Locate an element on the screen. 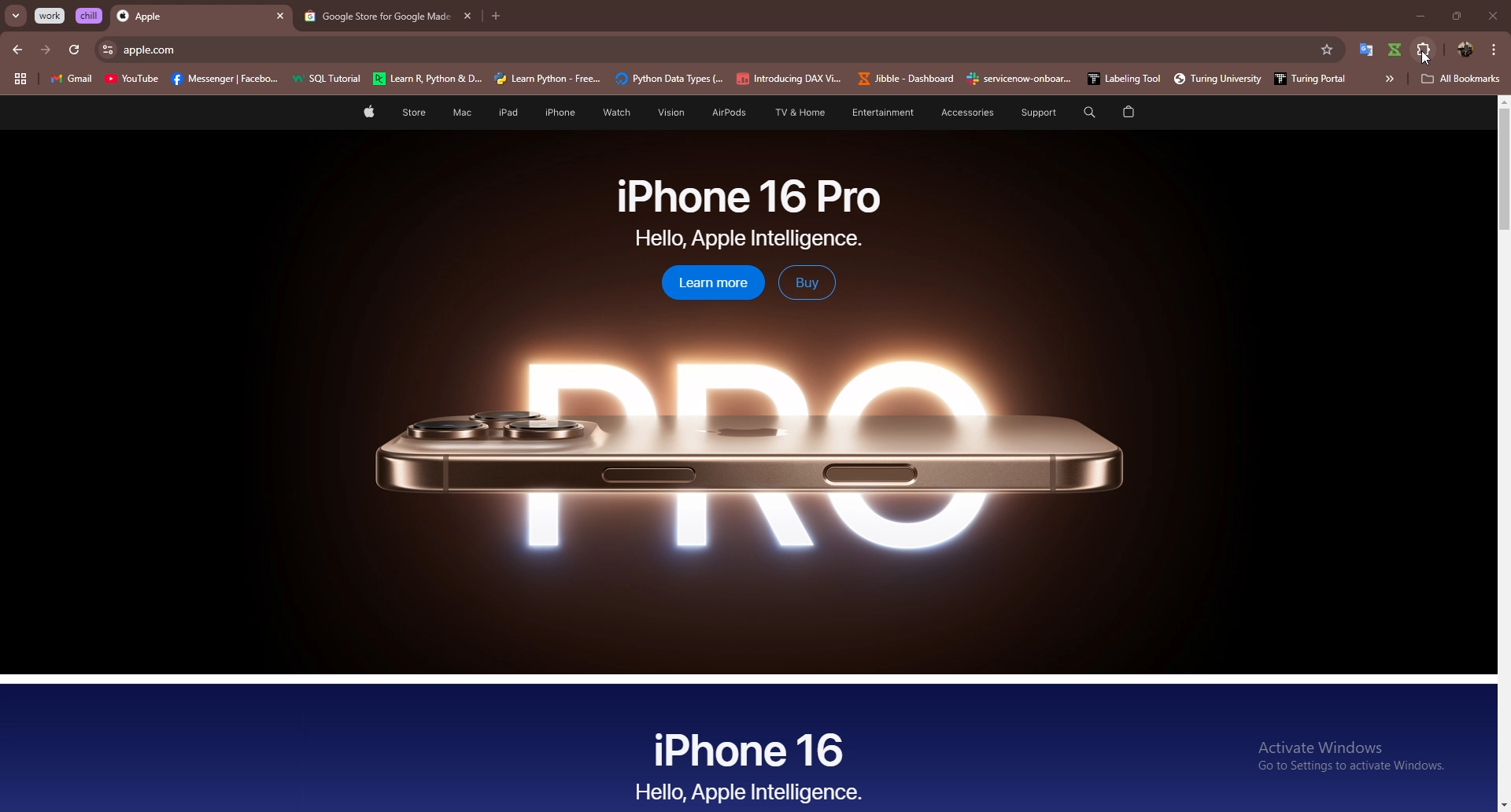 Image resolution: width=1511 pixels, height=812 pixels. close tab is located at coordinates (280, 17).